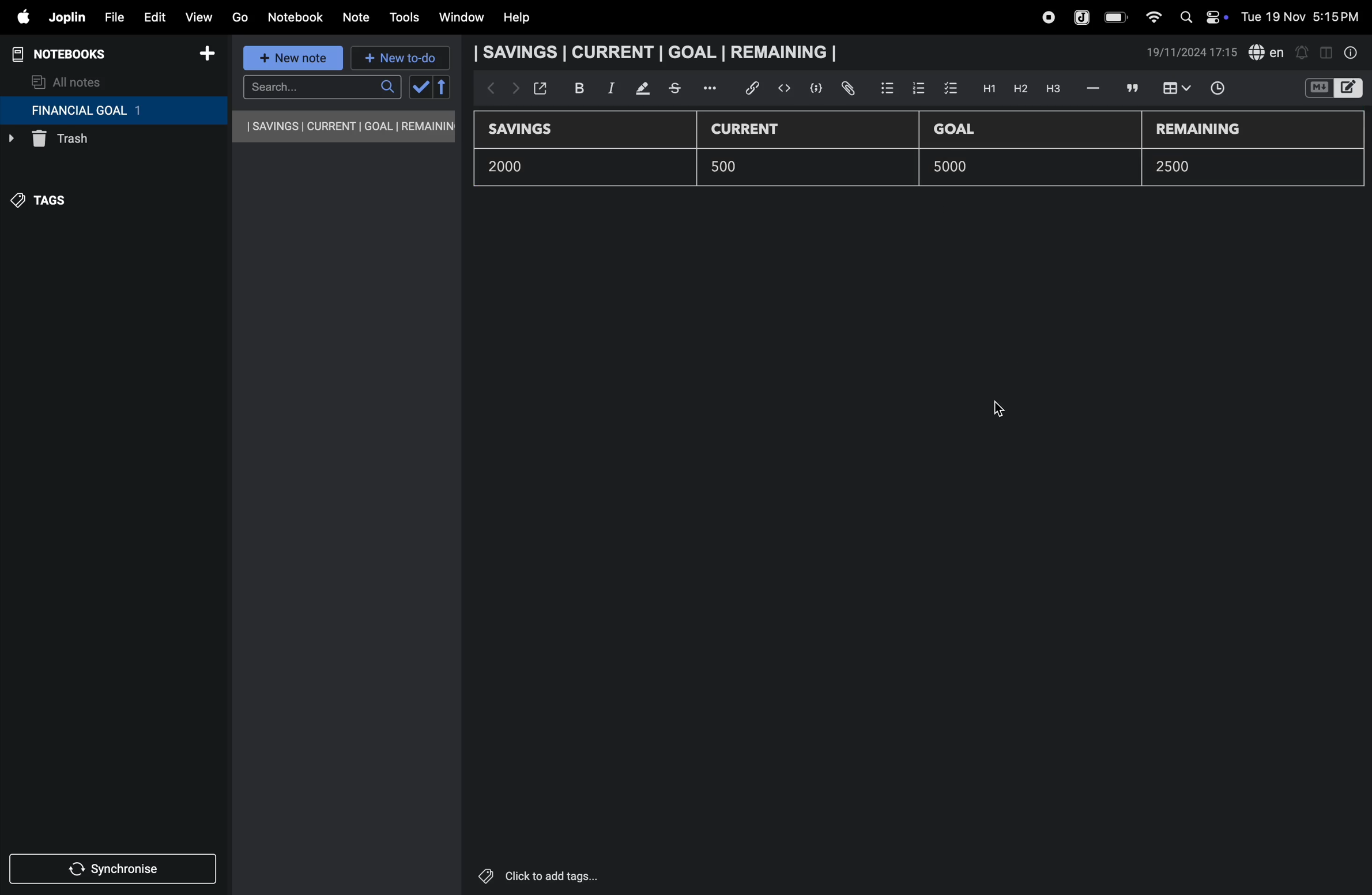  What do you see at coordinates (460, 18) in the screenshot?
I see `window` at bounding box center [460, 18].